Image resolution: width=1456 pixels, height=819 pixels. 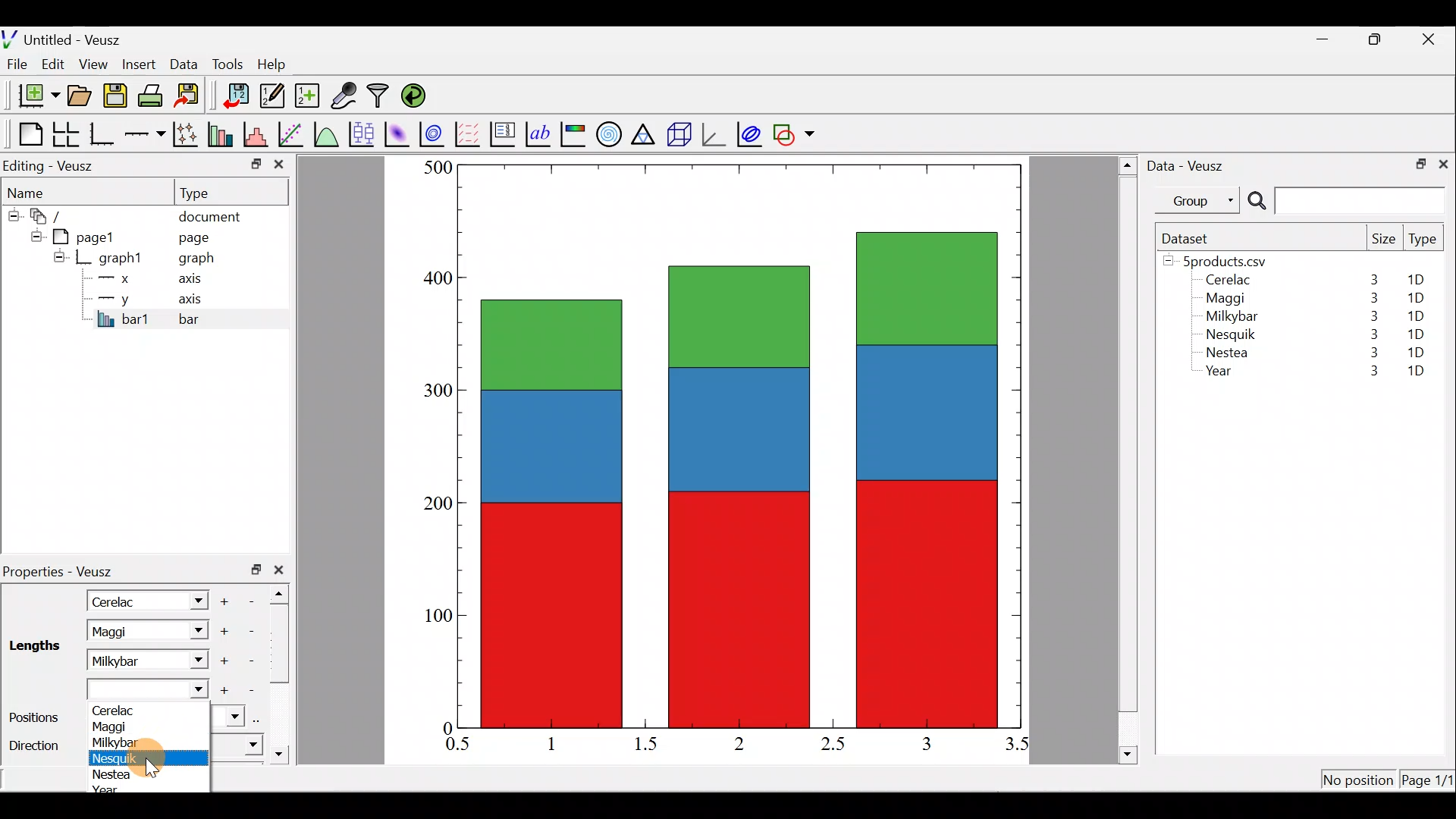 What do you see at coordinates (27, 134) in the screenshot?
I see `Blank page` at bounding box center [27, 134].